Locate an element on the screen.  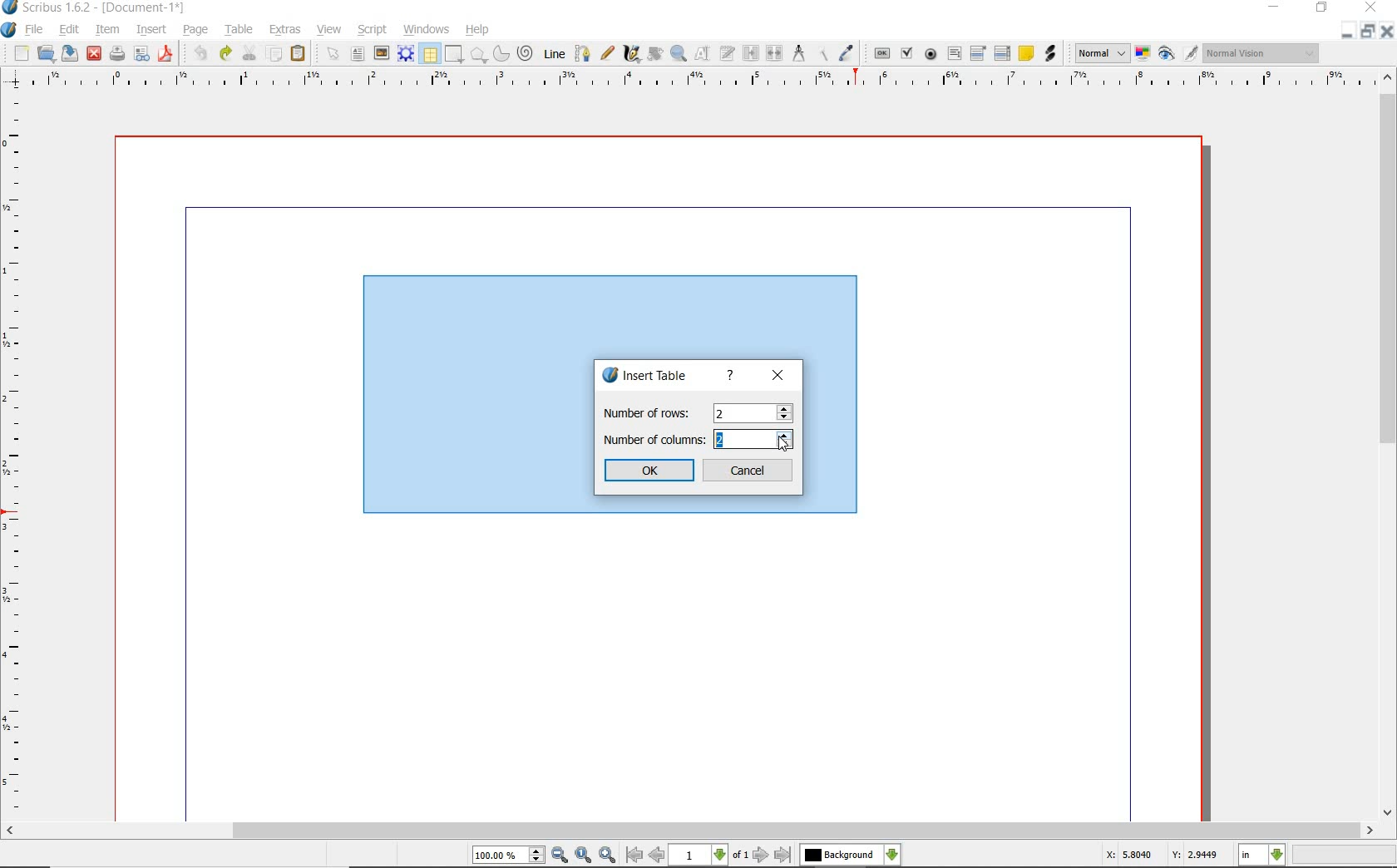
pdf combo box is located at coordinates (980, 54).